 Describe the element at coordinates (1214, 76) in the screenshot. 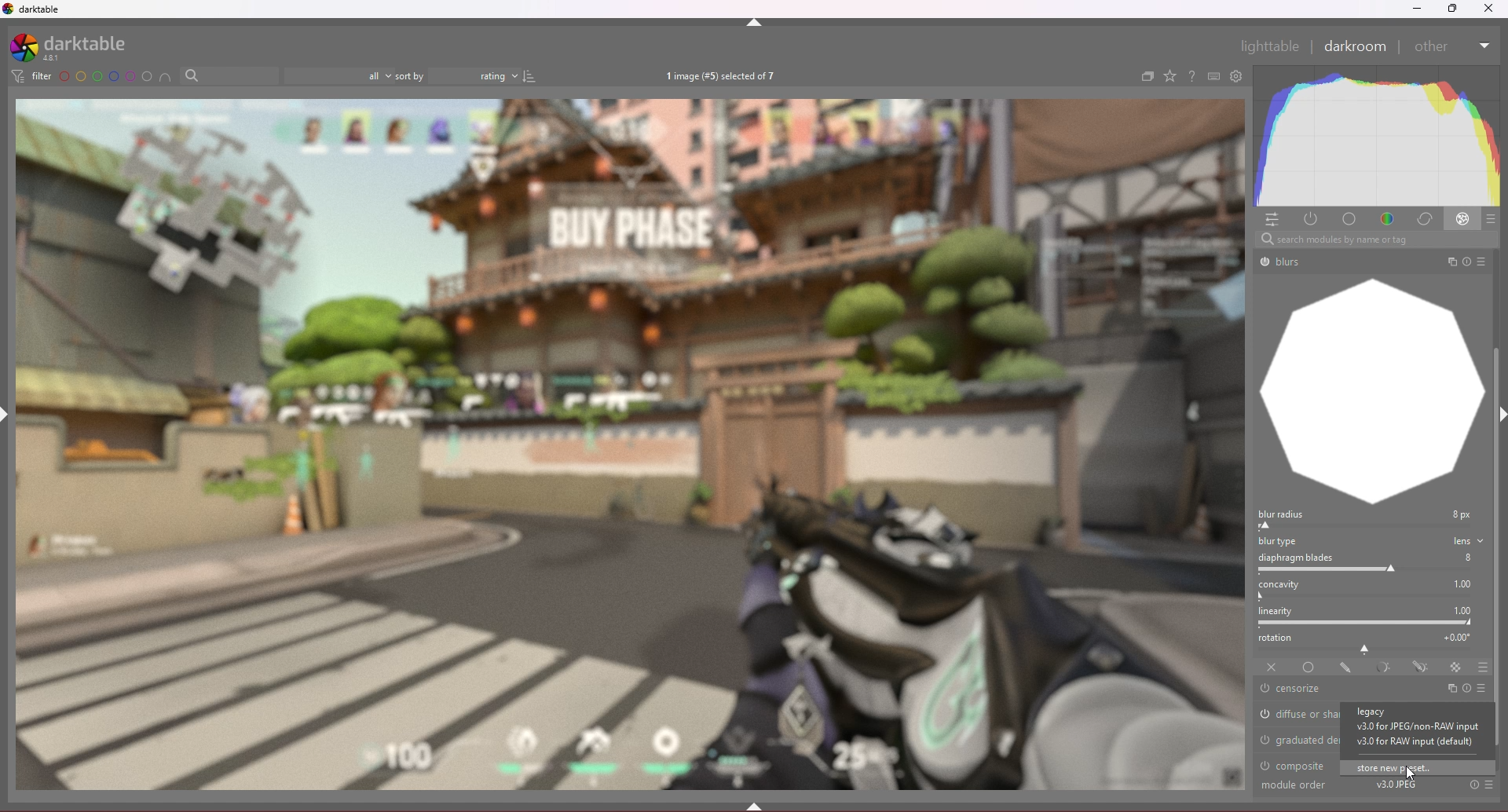

I see `keyboard shortcut` at that location.